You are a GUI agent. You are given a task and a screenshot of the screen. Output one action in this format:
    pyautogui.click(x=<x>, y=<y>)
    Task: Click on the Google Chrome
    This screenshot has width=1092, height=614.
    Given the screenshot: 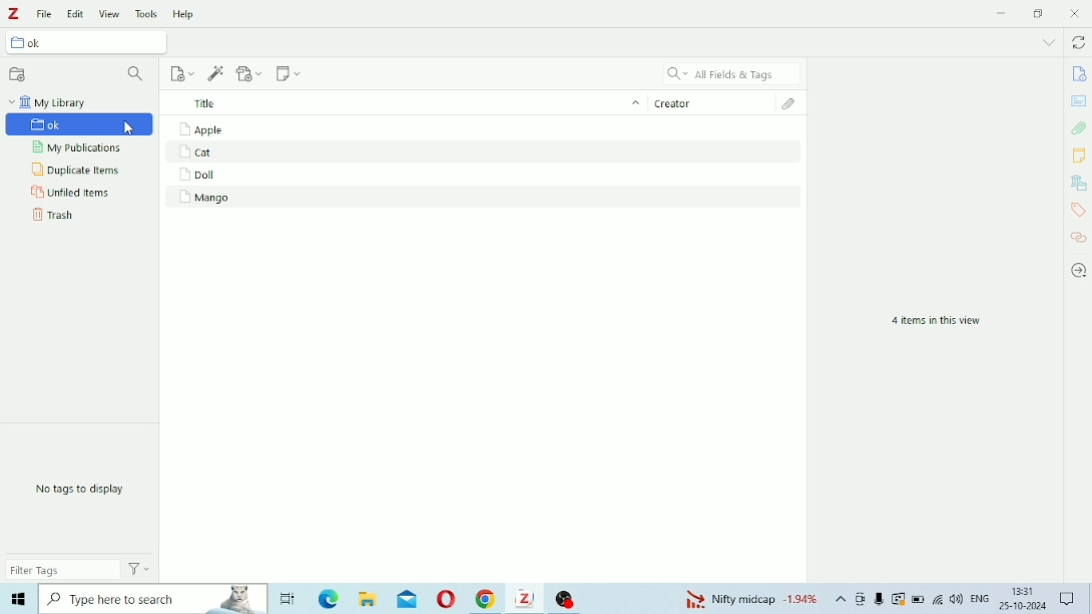 What is the action you would take?
    pyautogui.click(x=487, y=599)
    